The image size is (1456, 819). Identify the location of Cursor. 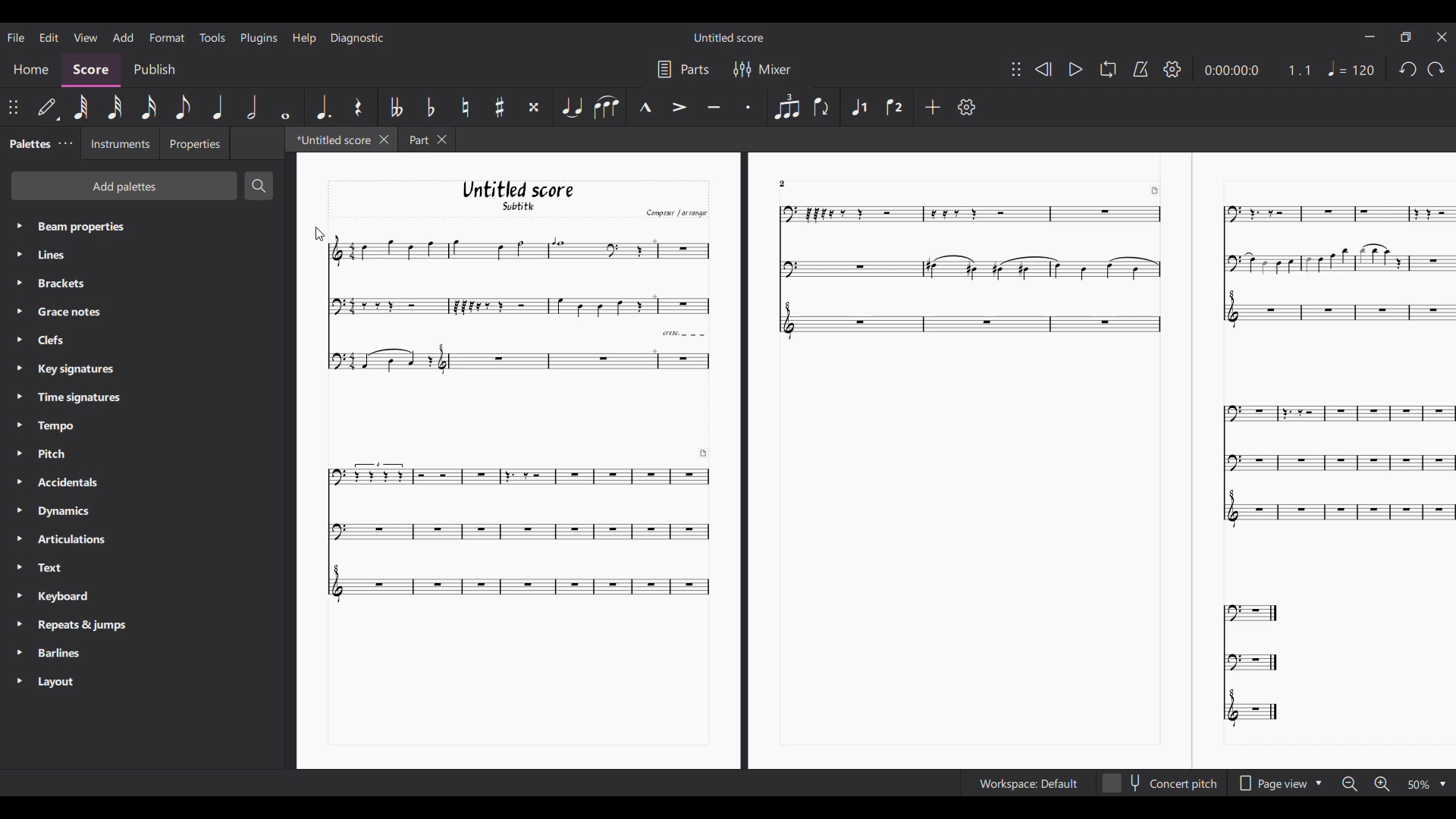
(316, 234).